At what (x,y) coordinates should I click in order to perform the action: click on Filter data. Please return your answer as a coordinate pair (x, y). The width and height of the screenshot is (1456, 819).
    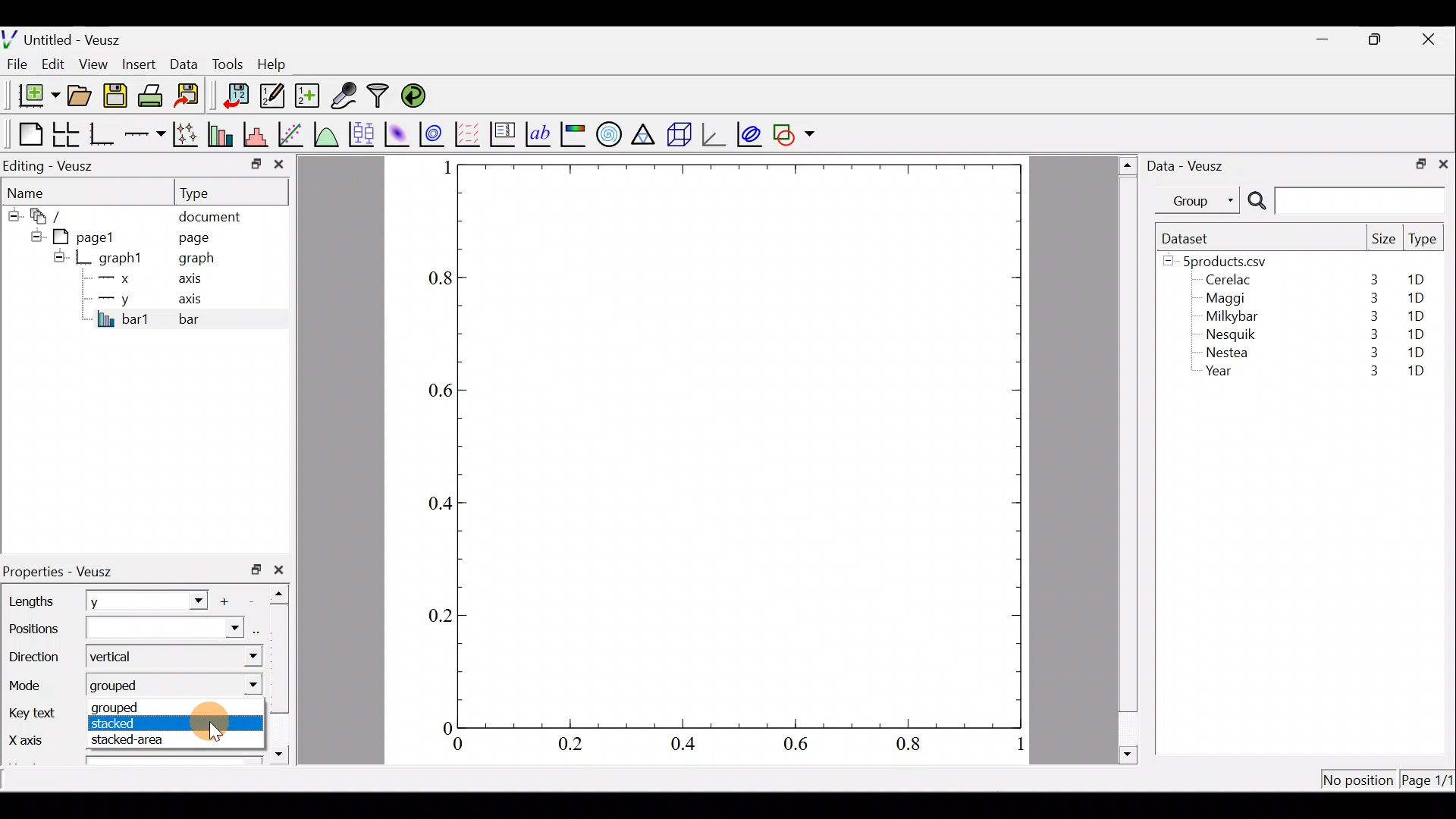
    Looking at the image, I should click on (381, 97).